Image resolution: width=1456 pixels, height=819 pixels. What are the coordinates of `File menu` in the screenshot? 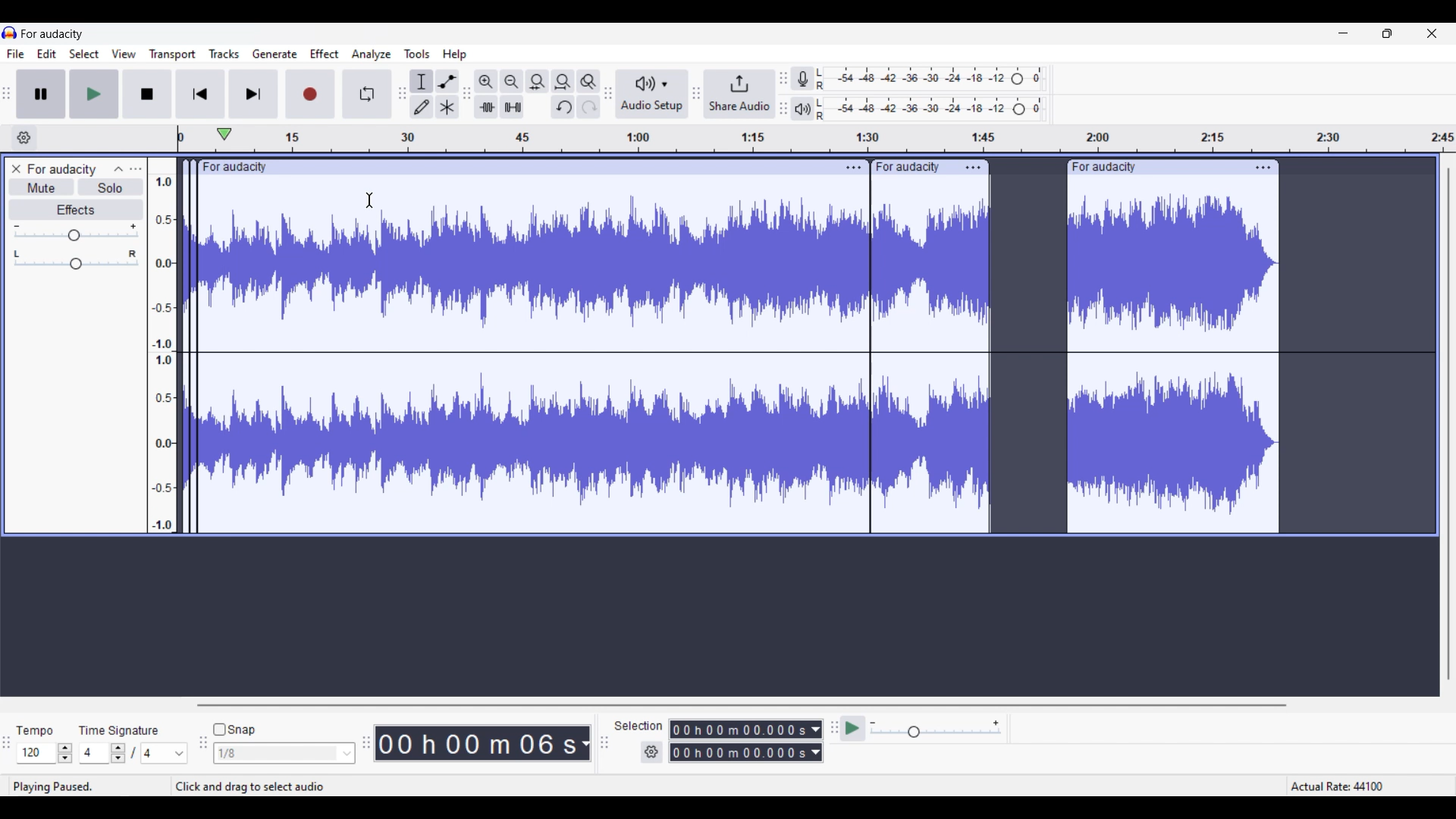 It's located at (16, 53).